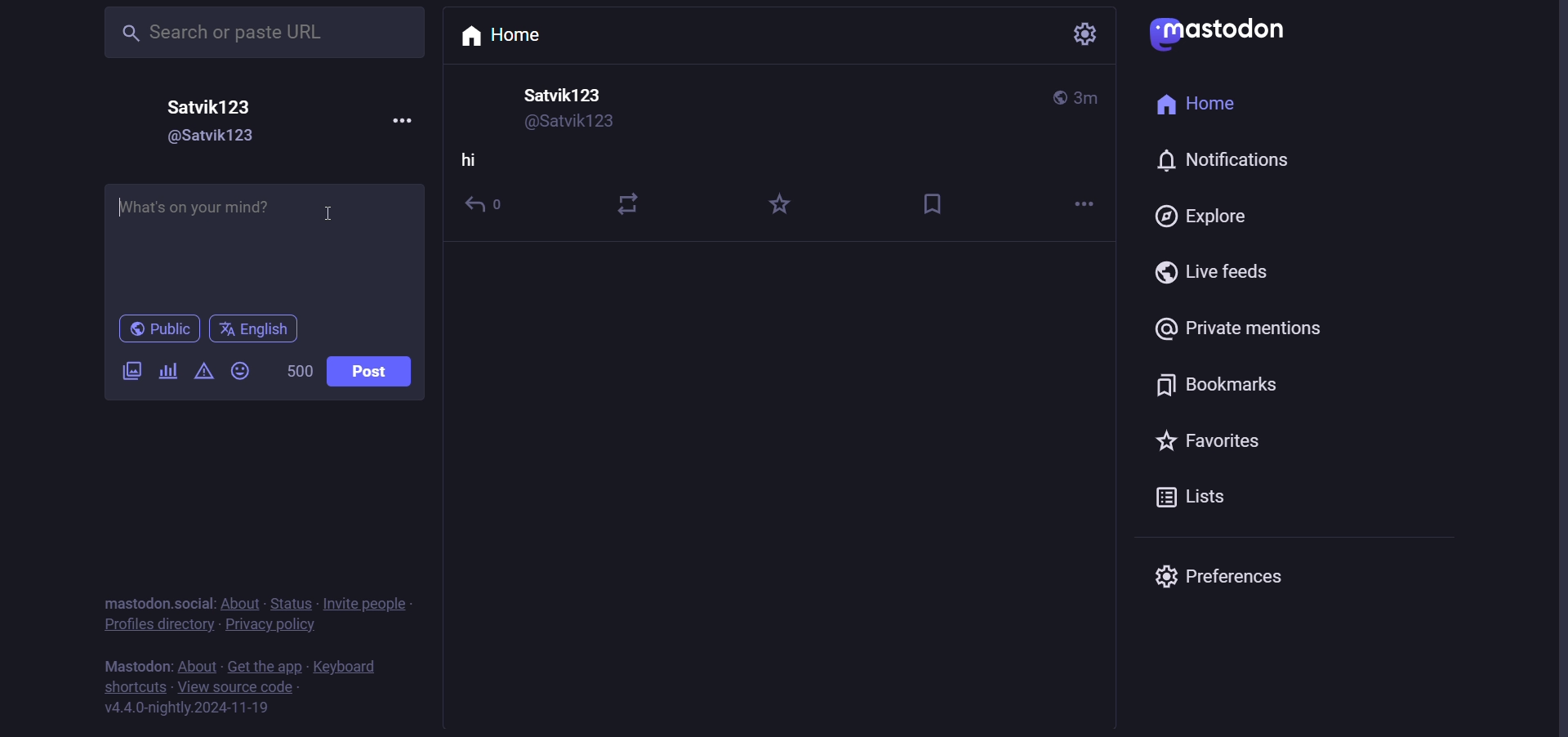 This screenshot has height=737, width=1568. I want to click on public, so click(1058, 97).